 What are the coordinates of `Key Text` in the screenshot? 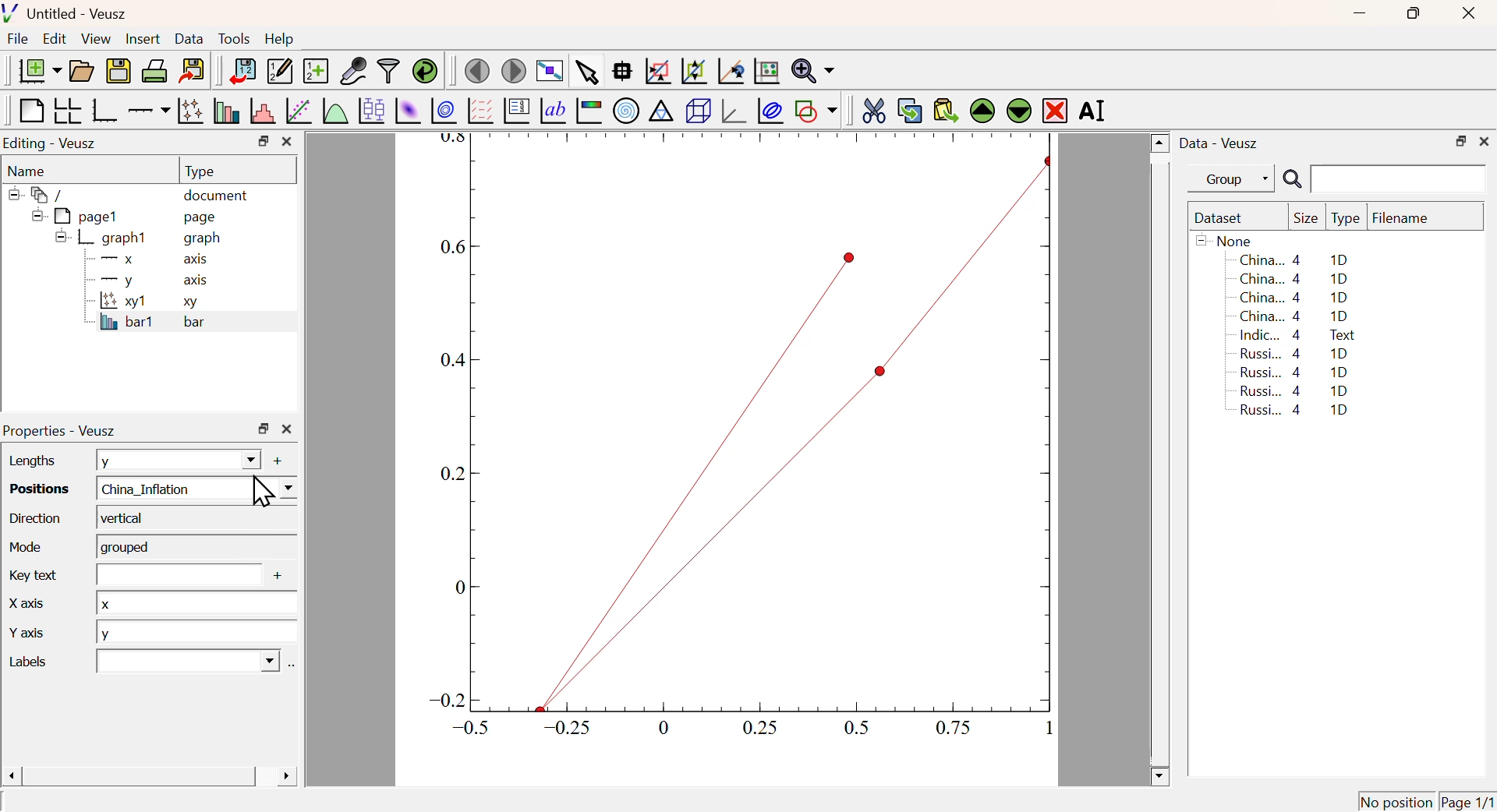 It's located at (30, 574).